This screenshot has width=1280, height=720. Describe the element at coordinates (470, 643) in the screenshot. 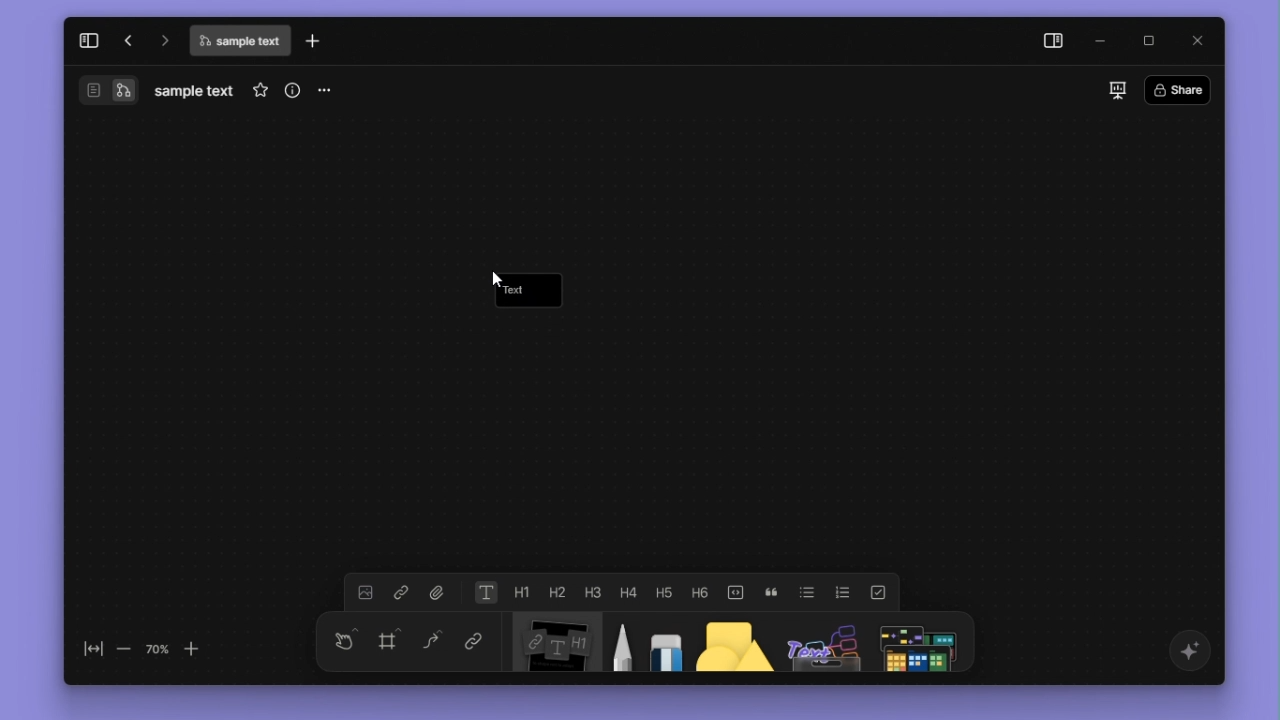

I see `link` at that location.